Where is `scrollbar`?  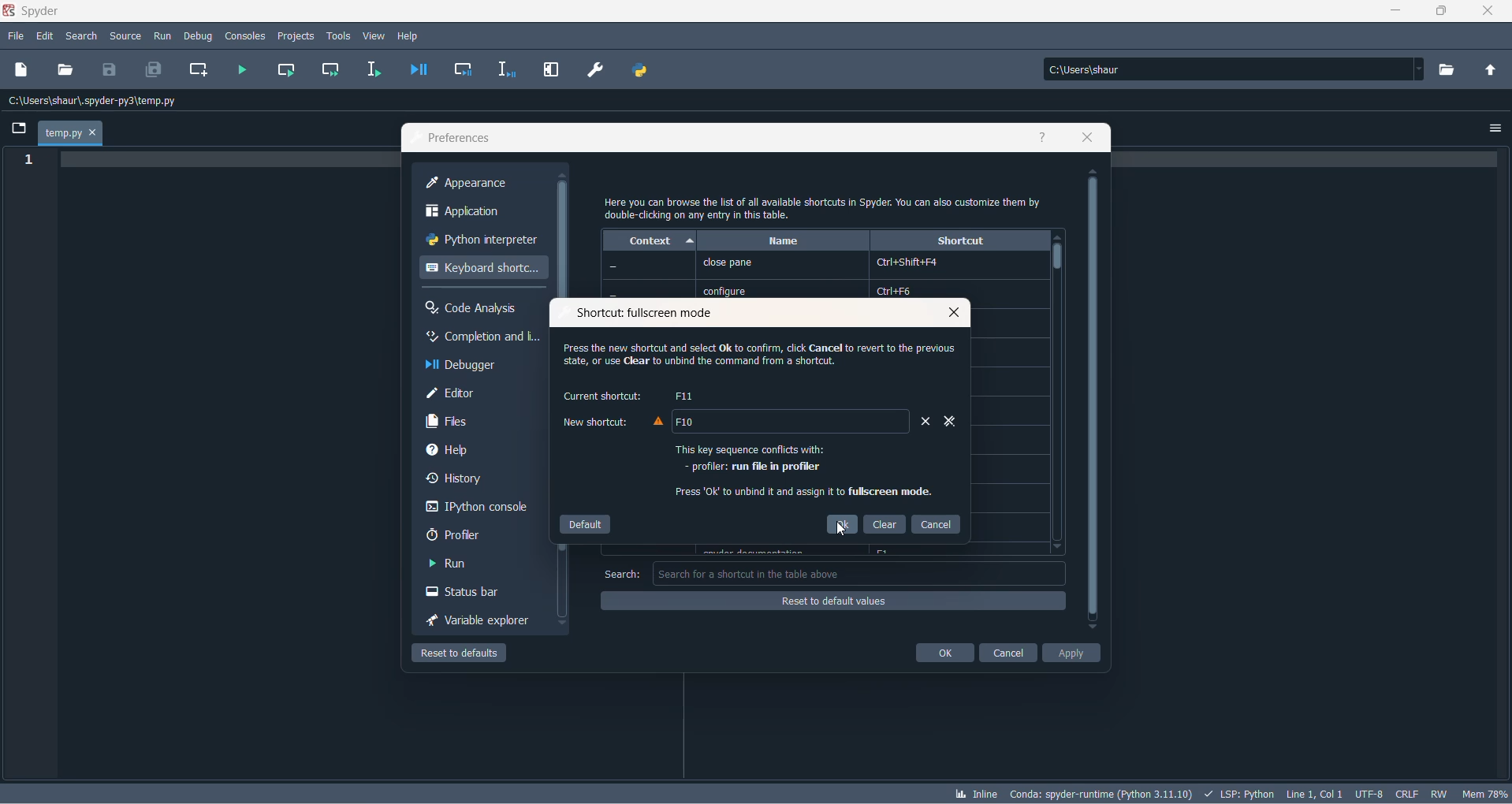 scrollbar is located at coordinates (1092, 400).